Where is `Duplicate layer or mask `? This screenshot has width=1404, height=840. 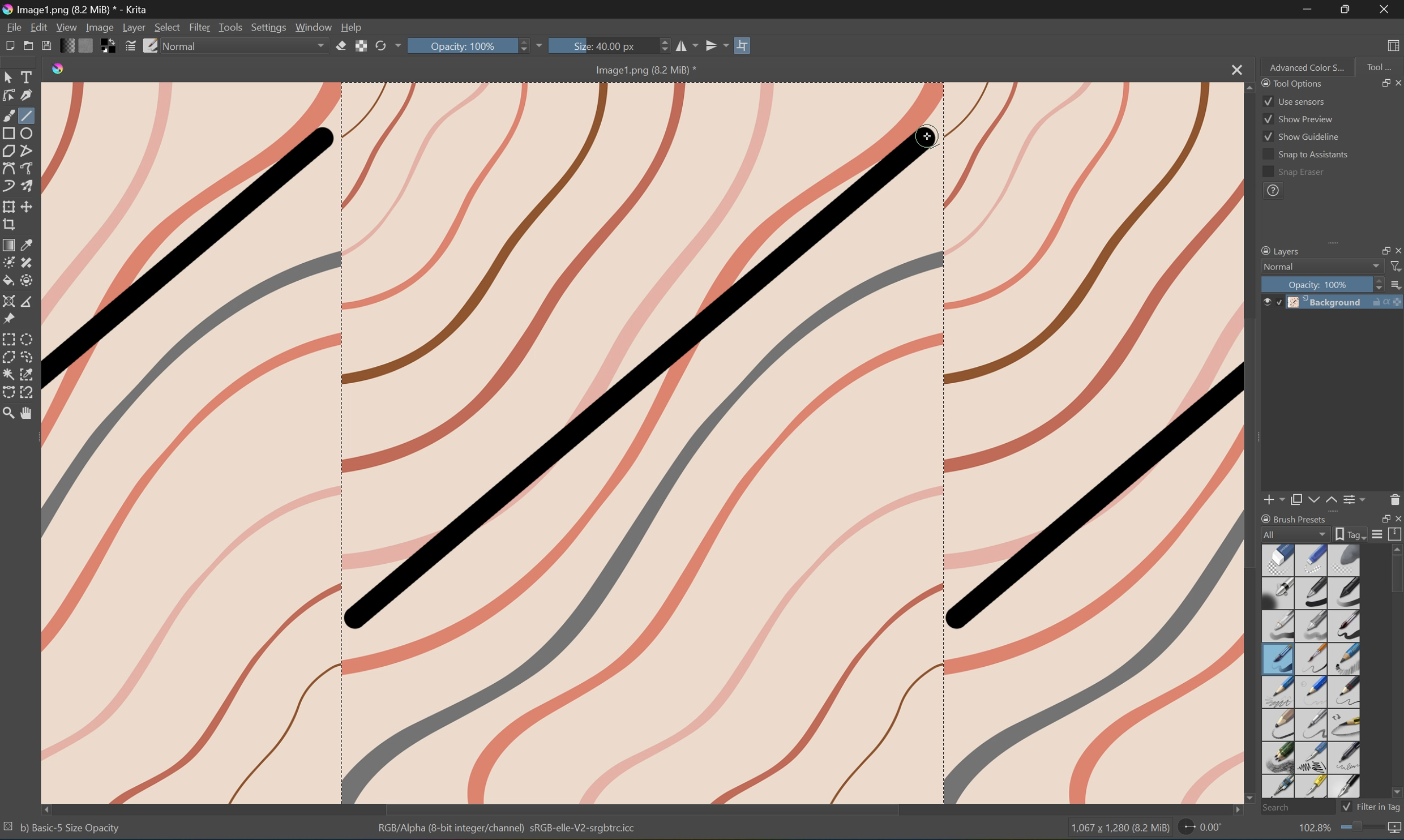 Duplicate layer or mask  is located at coordinates (1296, 499).